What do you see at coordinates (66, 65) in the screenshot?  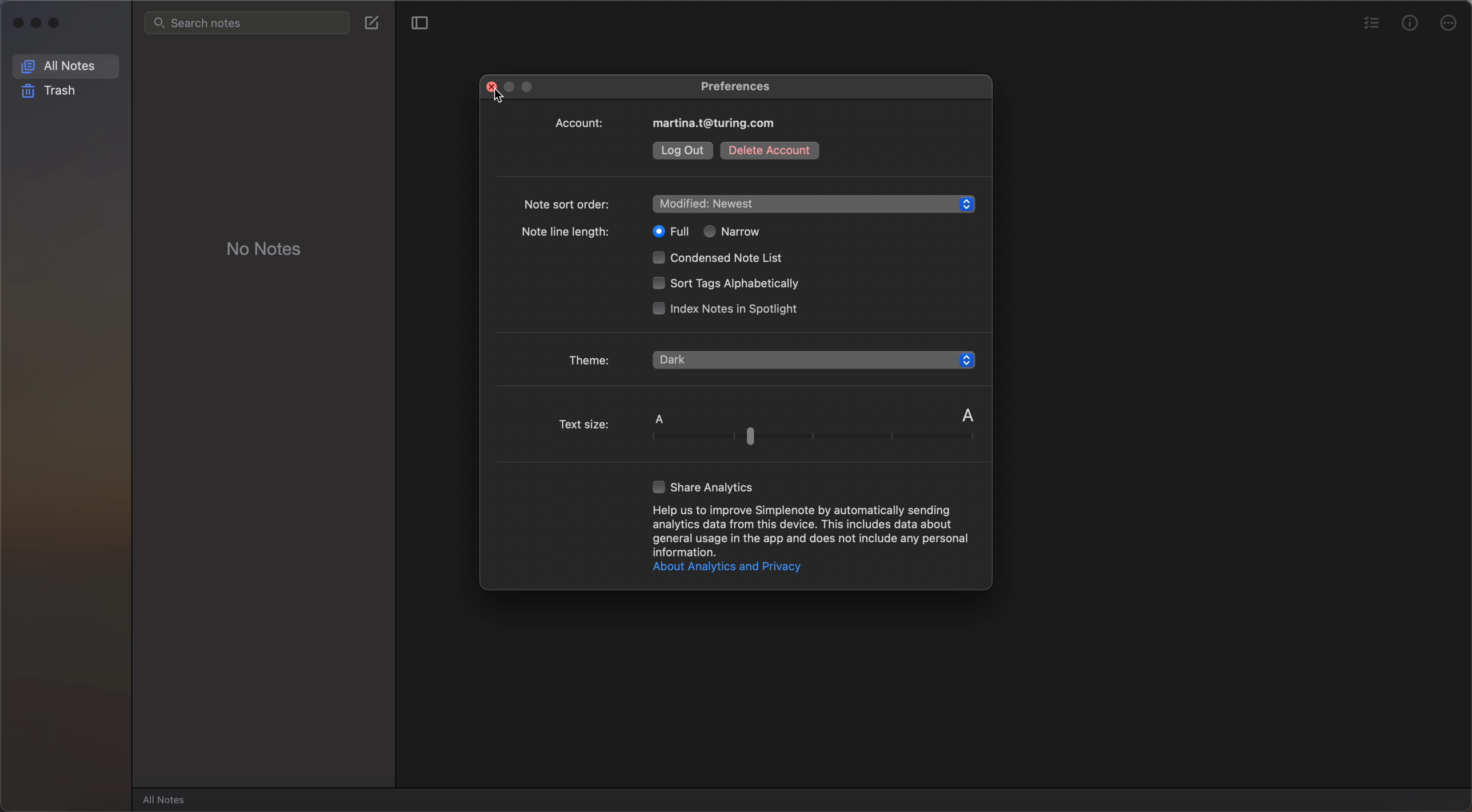 I see `all notes` at bounding box center [66, 65].